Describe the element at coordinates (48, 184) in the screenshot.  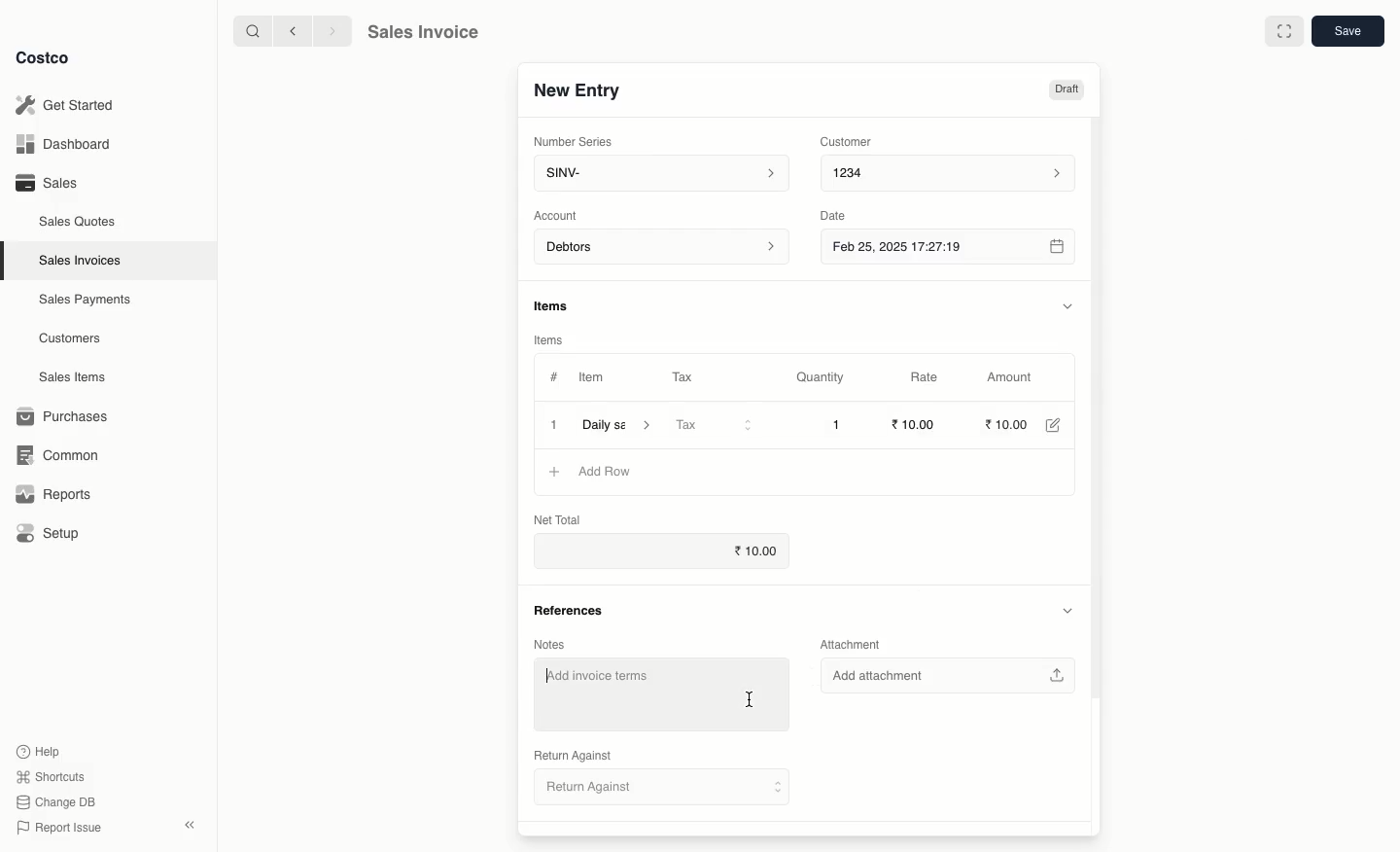
I see `Sales` at that location.